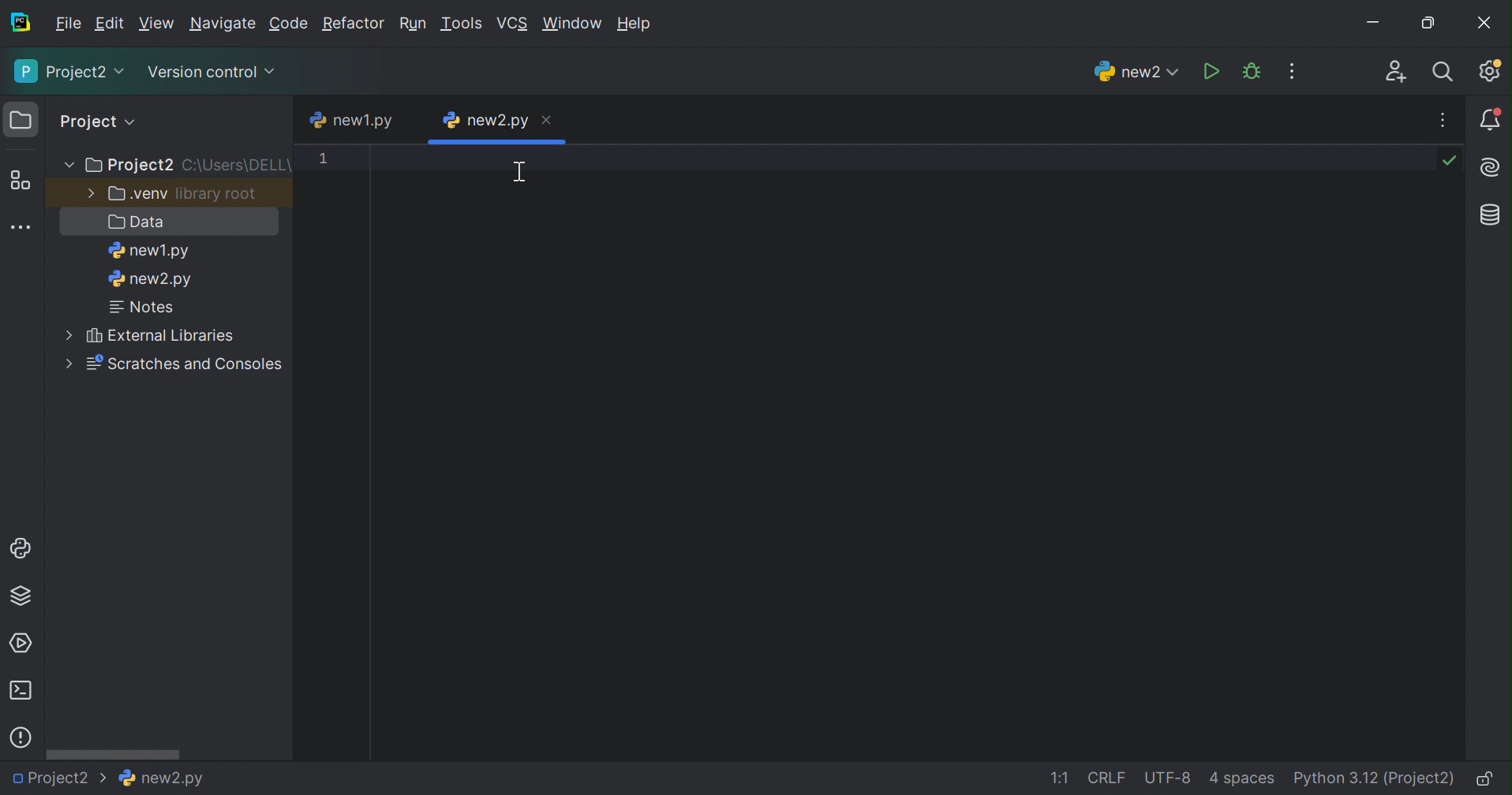 The height and width of the screenshot is (795, 1512). Describe the element at coordinates (20, 547) in the screenshot. I see `Python Console` at that location.